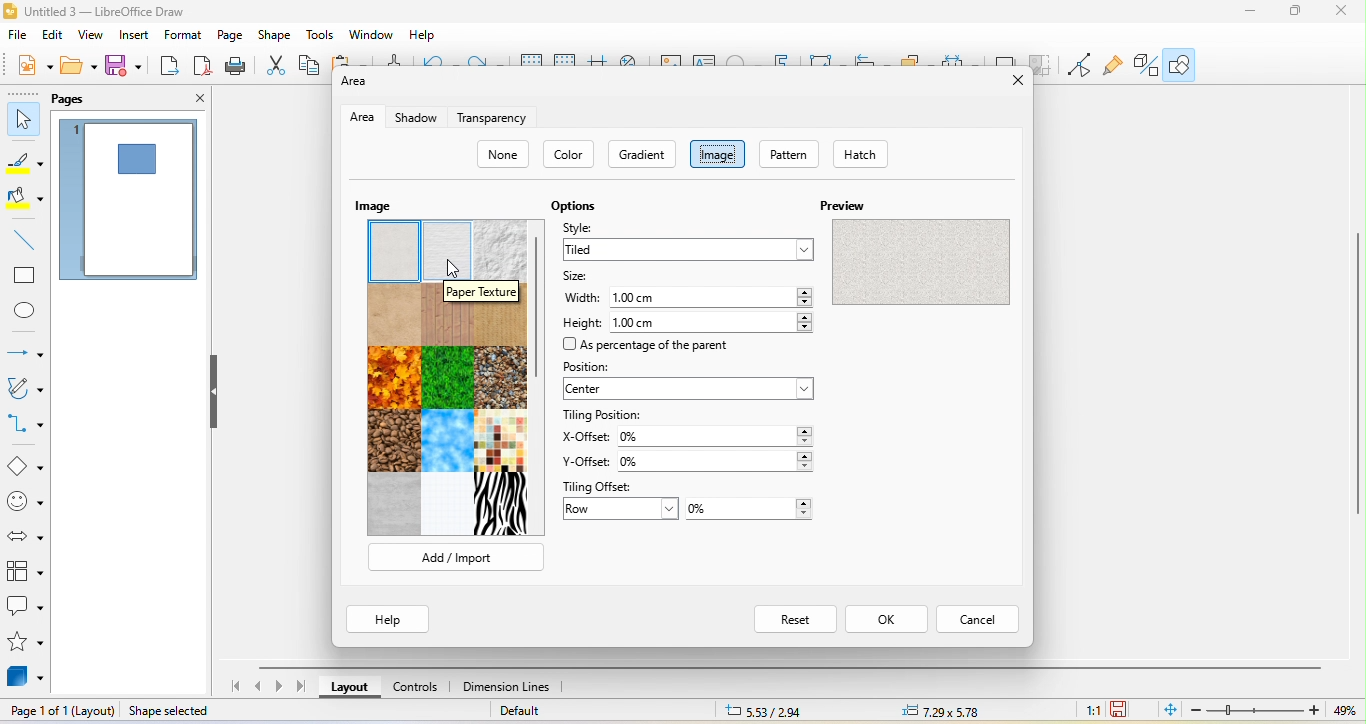  What do you see at coordinates (394, 505) in the screenshot?
I see `texture 13` at bounding box center [394, 505].